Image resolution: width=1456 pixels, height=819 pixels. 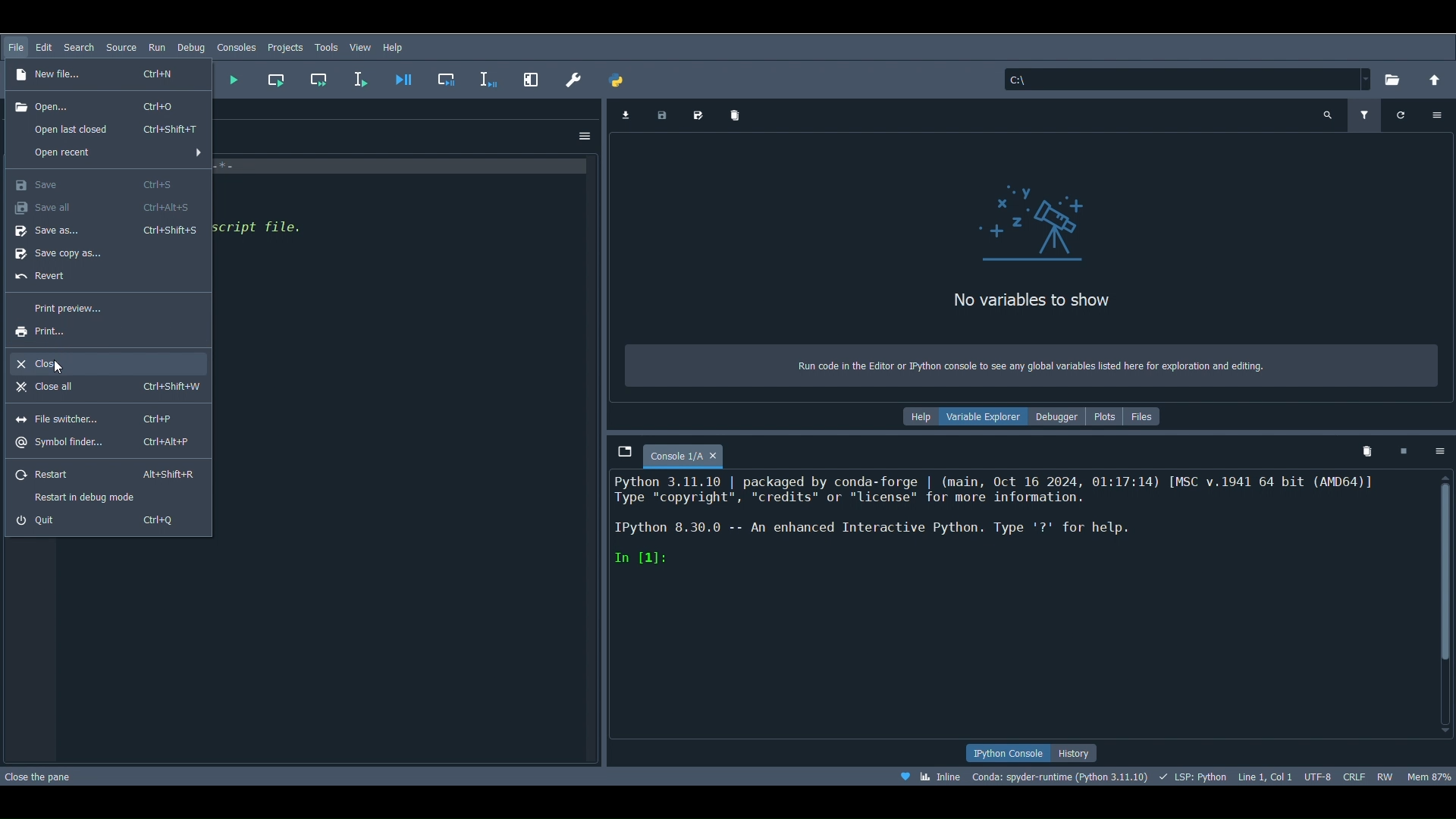 I want to click on Variable explorer, so click(x=986, y=414).